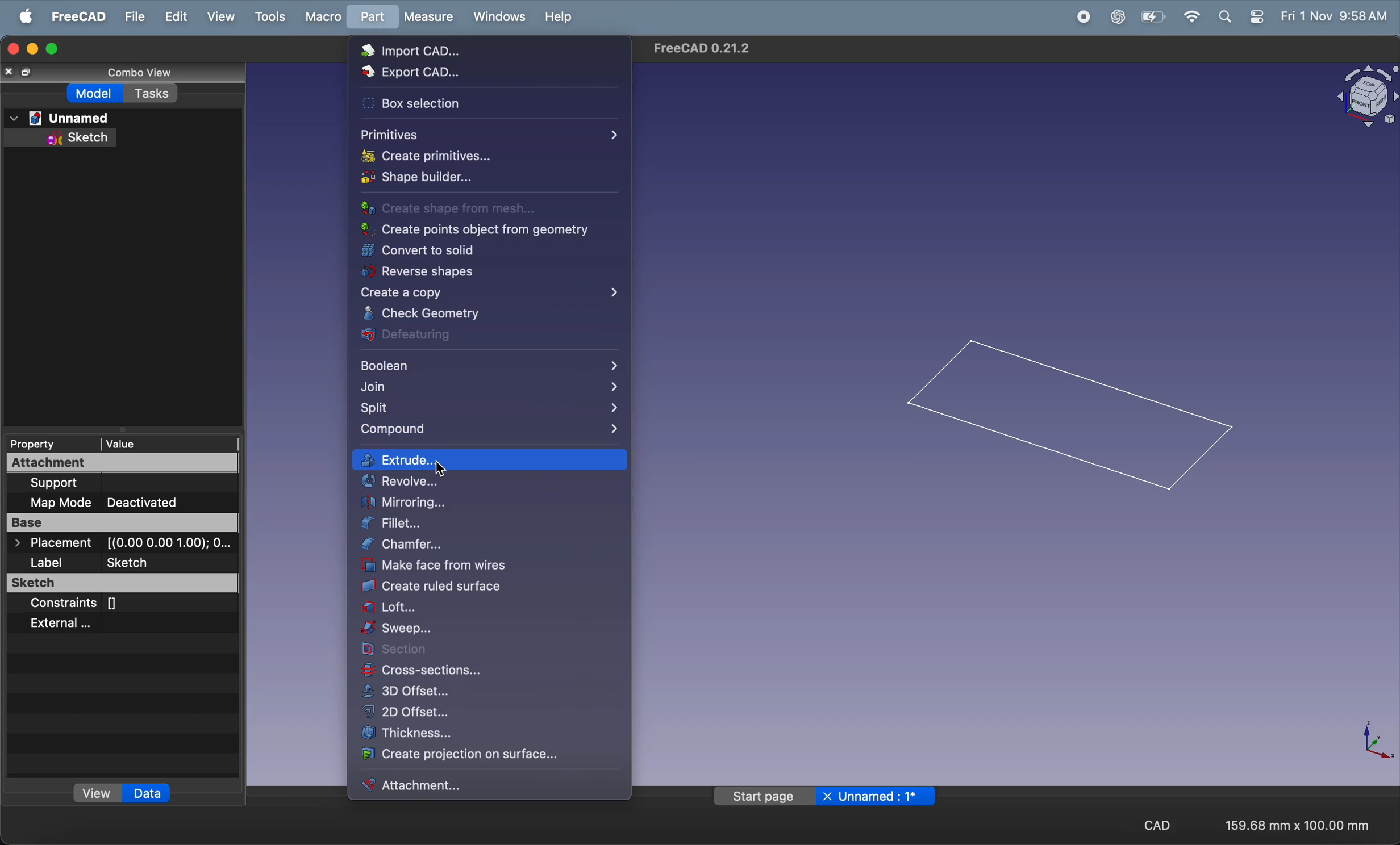 Image resolution: width=1400 pixels, height=845 pixels. What do you see at coordinates (463, 106) in the screenshot?
I see `box selection` at bounding box center [463, 106].